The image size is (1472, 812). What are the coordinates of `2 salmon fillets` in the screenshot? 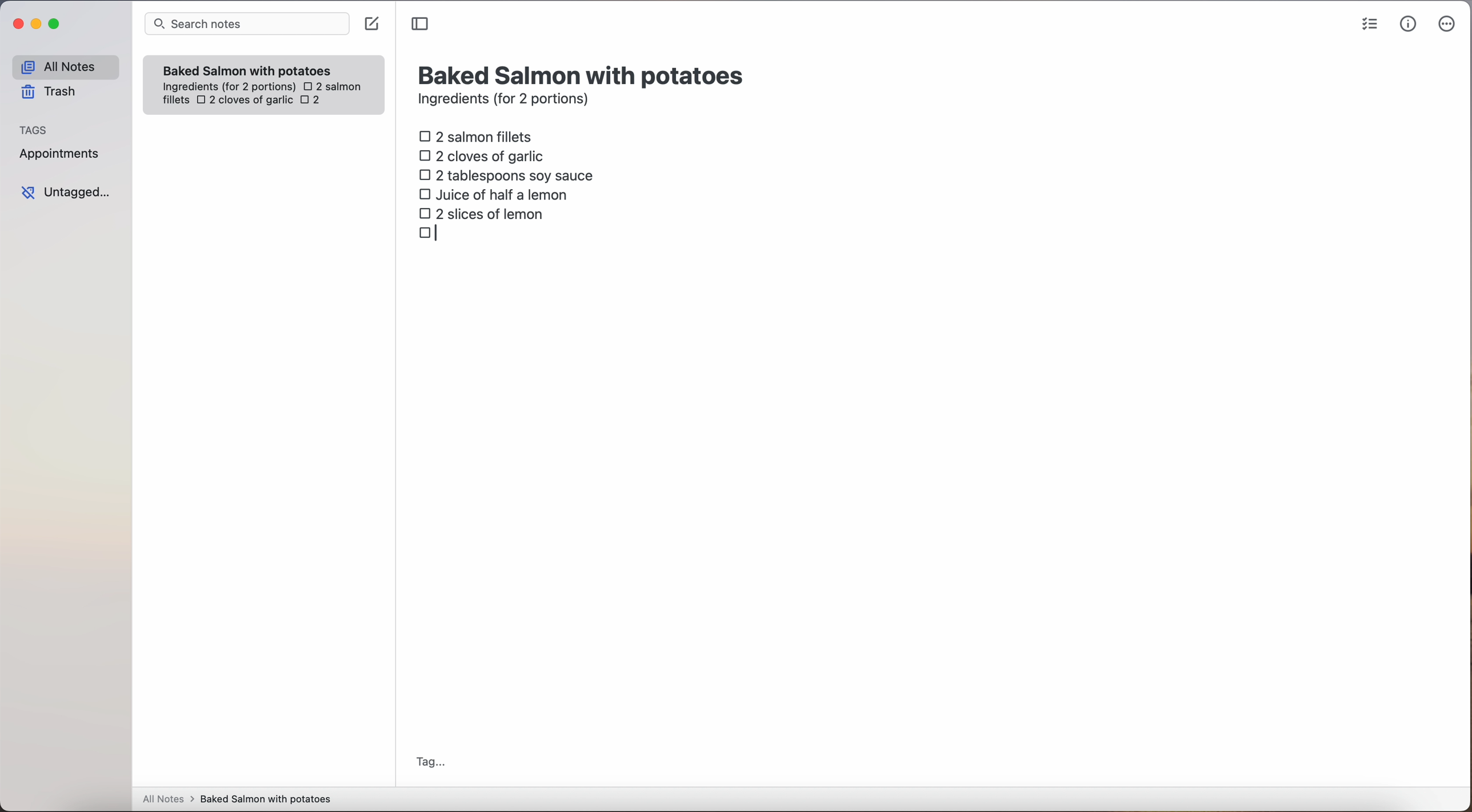 It's located at (479, 135).